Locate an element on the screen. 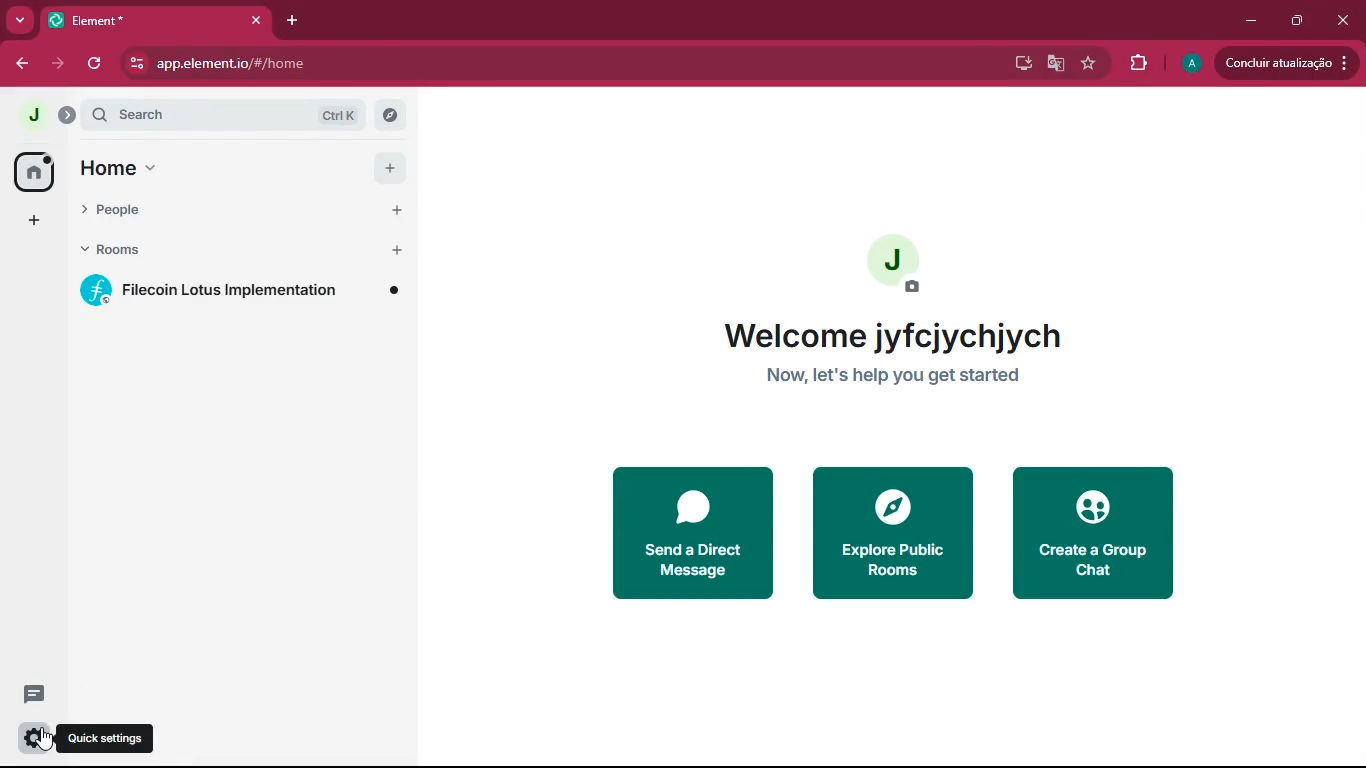  Quick settings is located at coordinates (105, 738).